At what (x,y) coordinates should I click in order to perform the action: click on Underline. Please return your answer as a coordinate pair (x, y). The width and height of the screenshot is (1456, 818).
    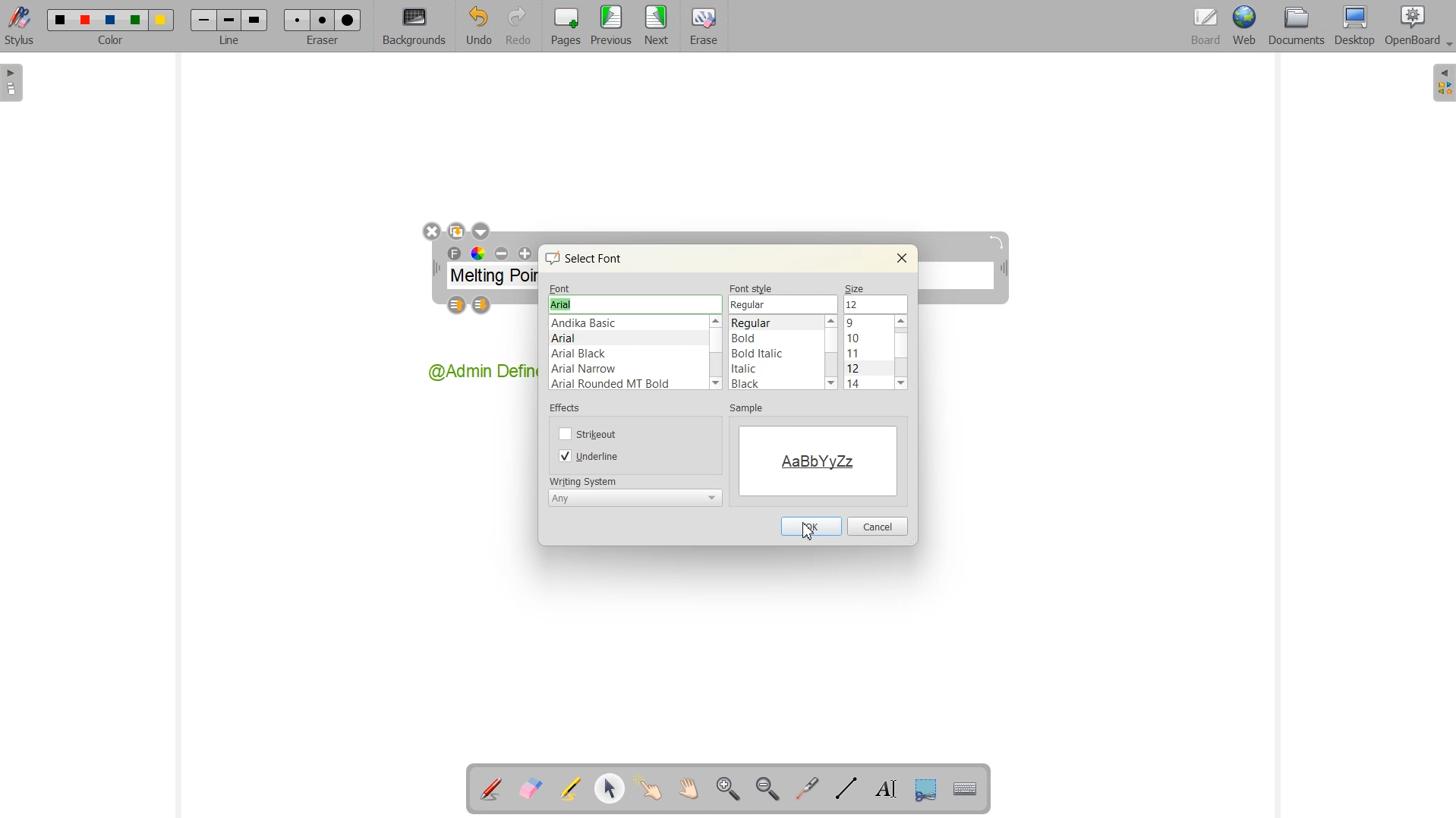
    Looking at the image, I should click on (591, 456).